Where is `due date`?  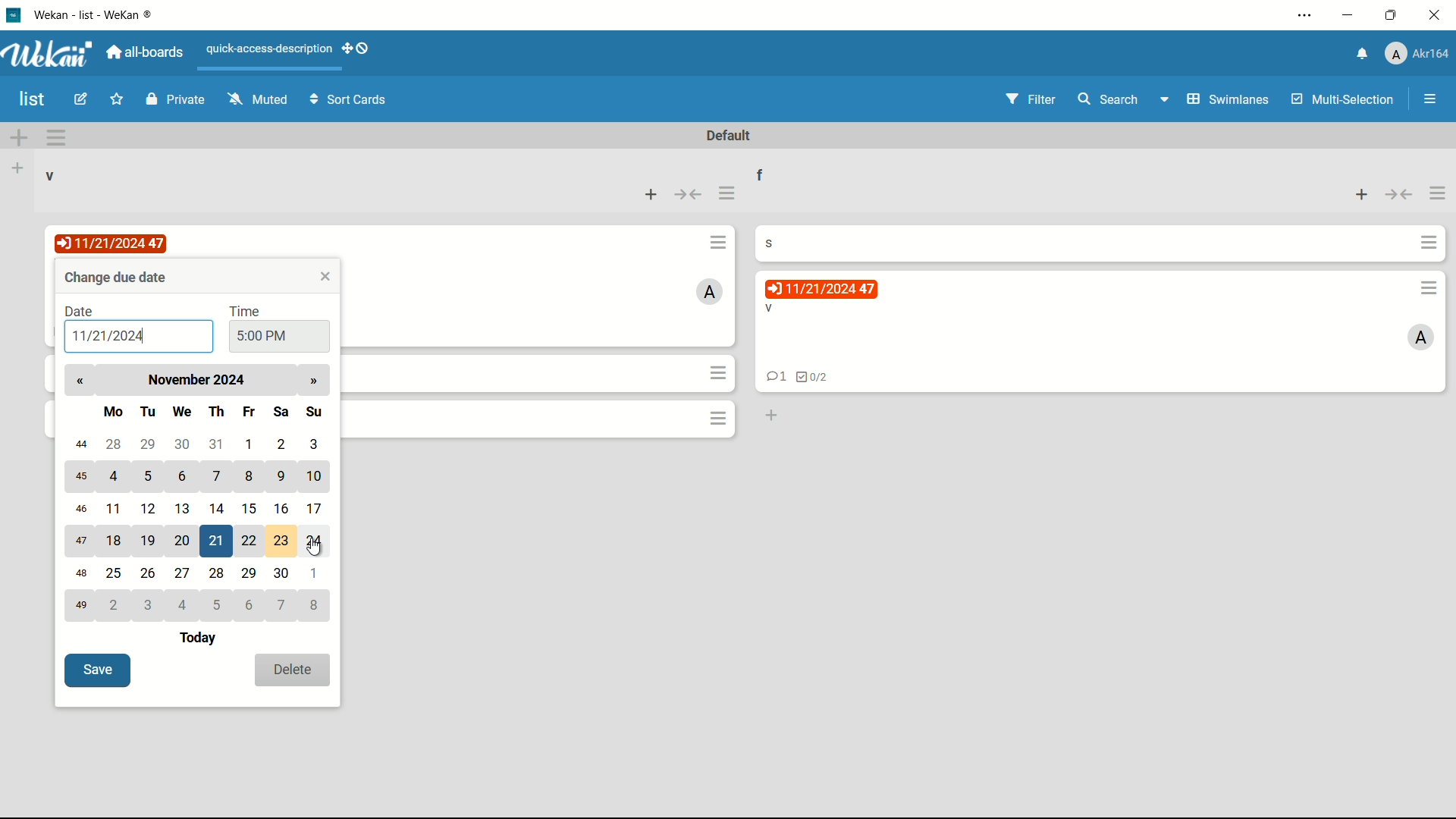 due date is located at coordinates (821, 289).